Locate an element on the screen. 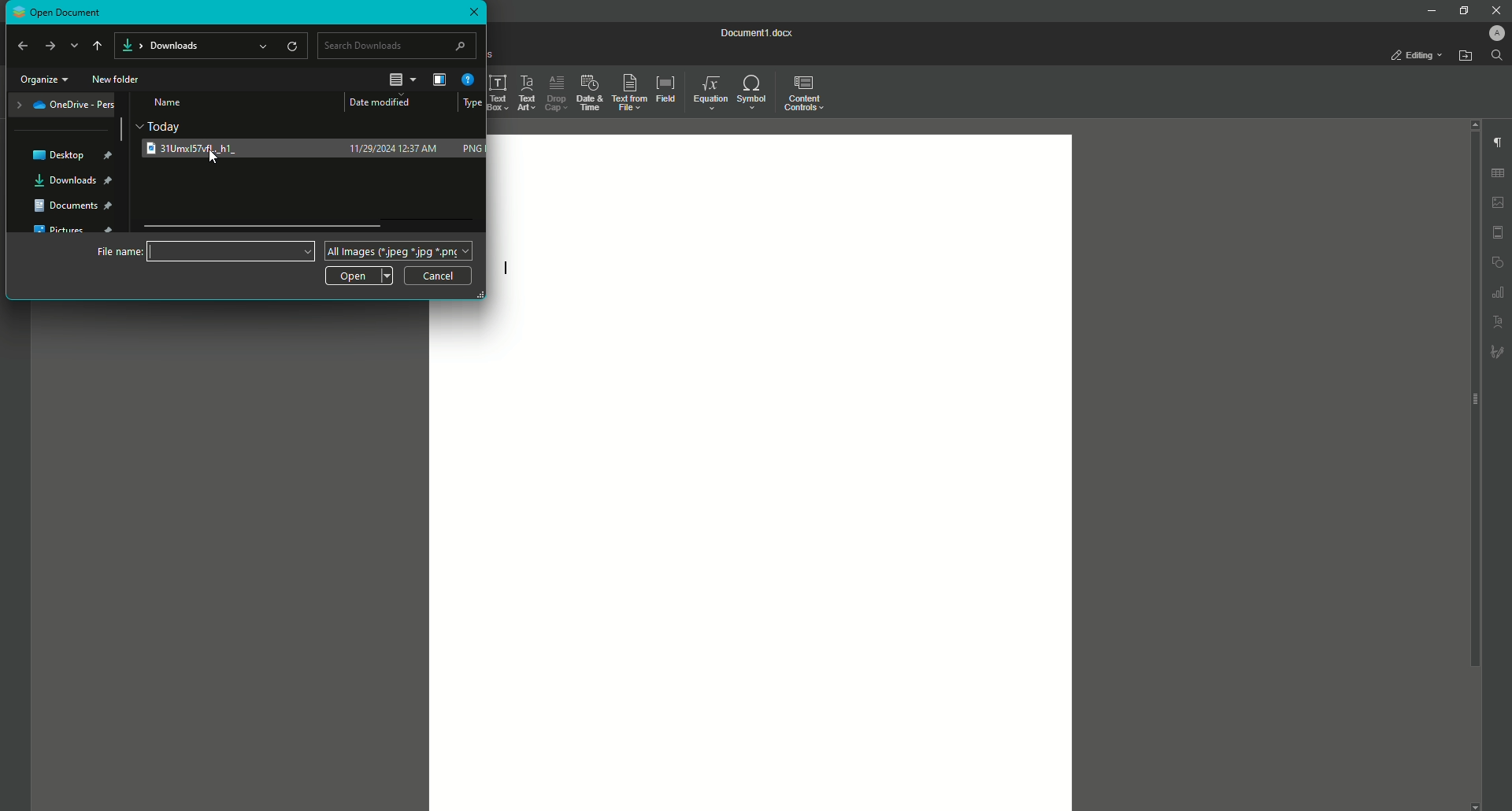 Image resolution: width=1512 pixels, height=811 pixels. Text Art is located at coordinates (522, 91).